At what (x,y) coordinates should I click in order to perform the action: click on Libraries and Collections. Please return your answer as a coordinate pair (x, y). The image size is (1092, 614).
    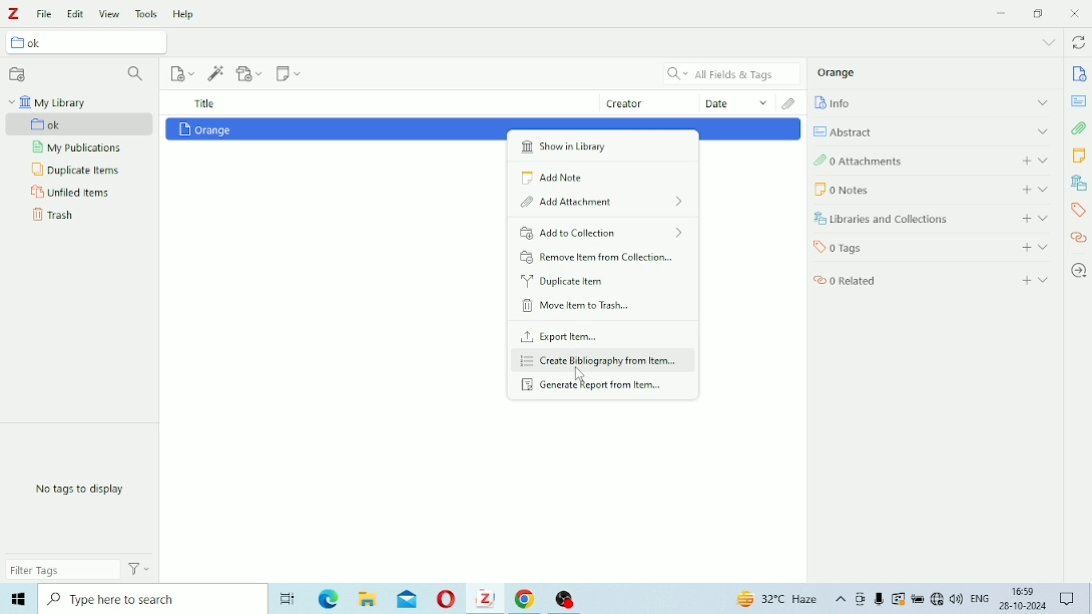
    Looking at the image, I should click on (932, 219).